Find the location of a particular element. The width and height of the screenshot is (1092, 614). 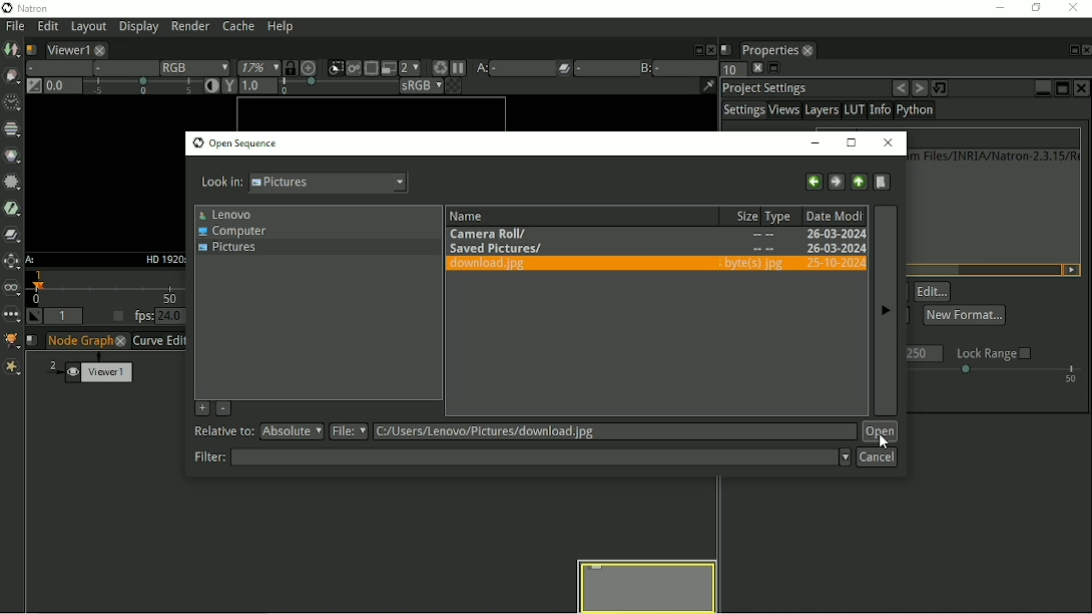

Add to favorites is located at coordinates (201, 408).